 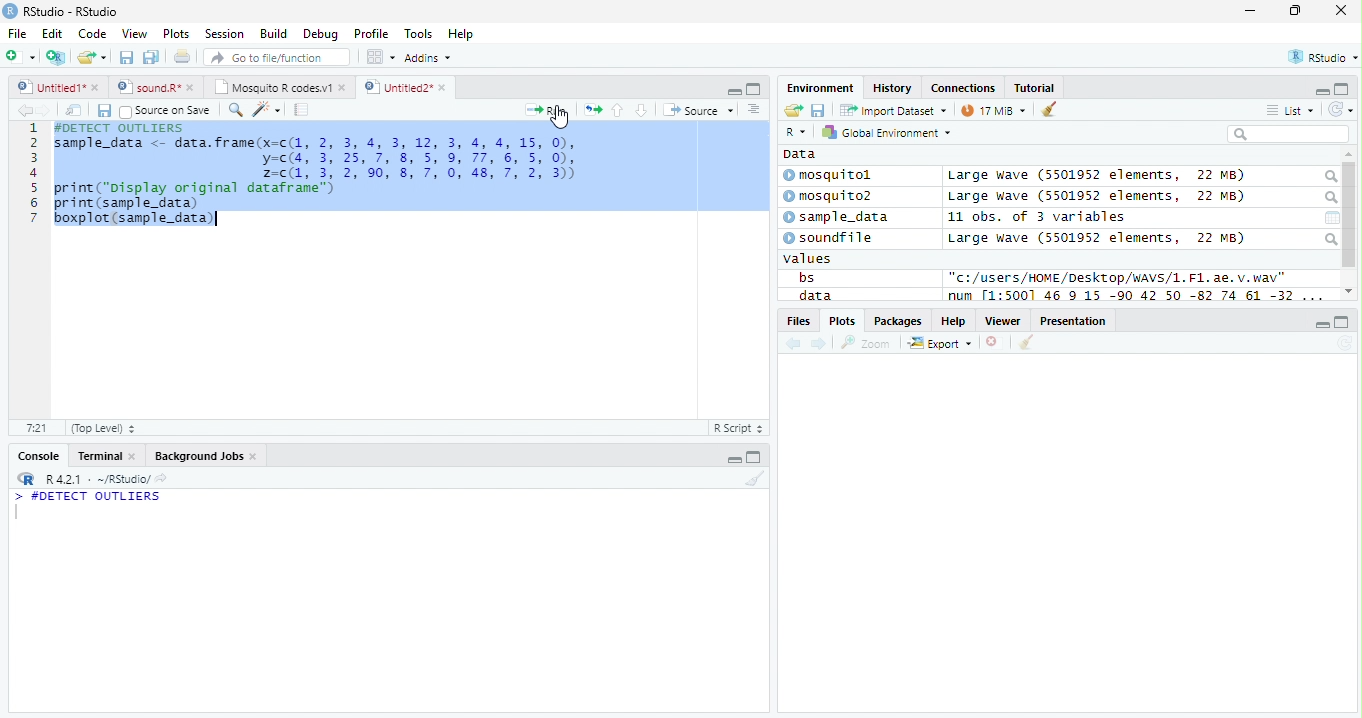 What do you see at coordinates (734, 90) in the screenshot?
I see `minimize` at bounding box center [734, 90].